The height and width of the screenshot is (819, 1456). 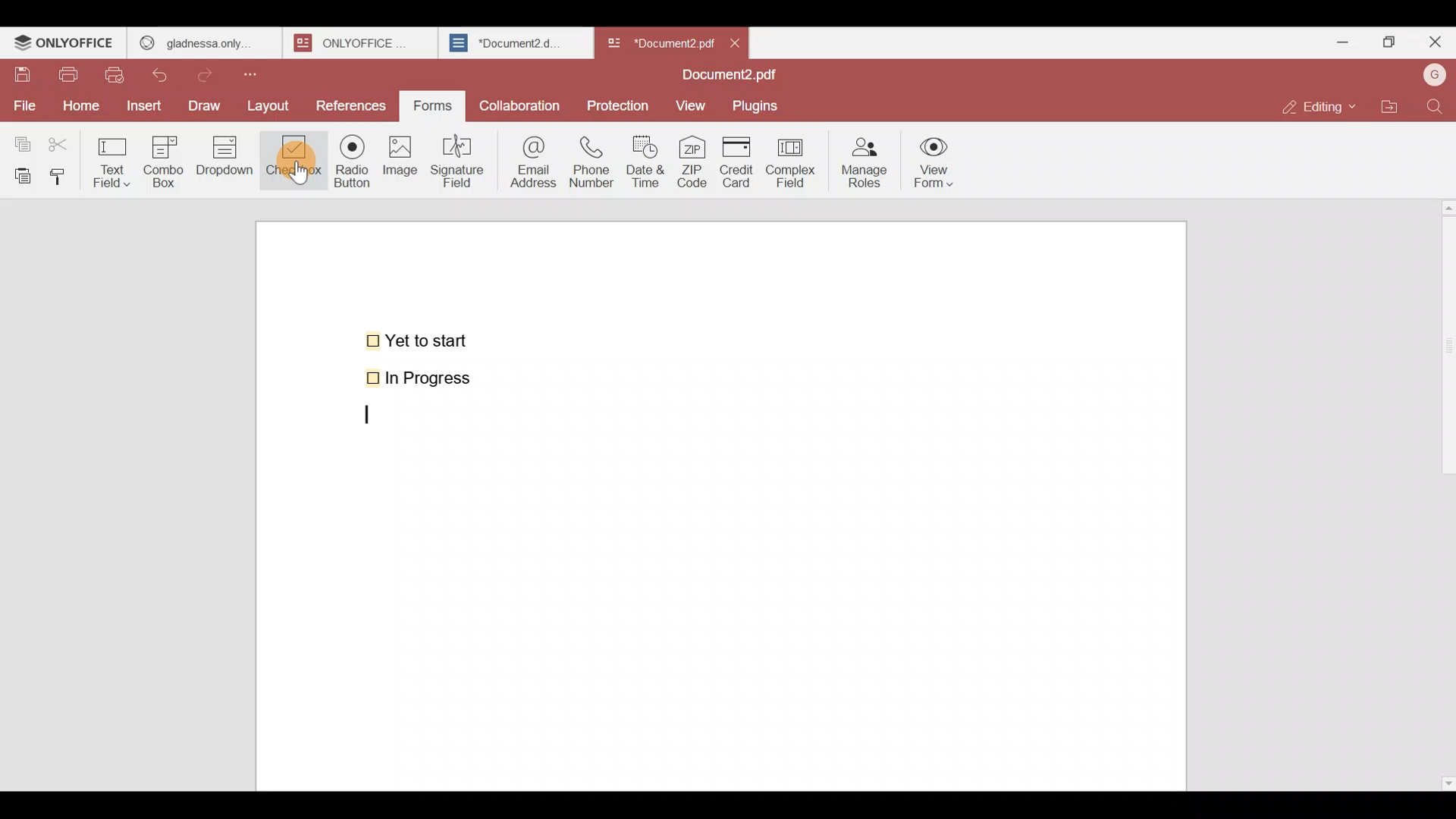 I want to click on Combo box, so click(x=163, y=159).